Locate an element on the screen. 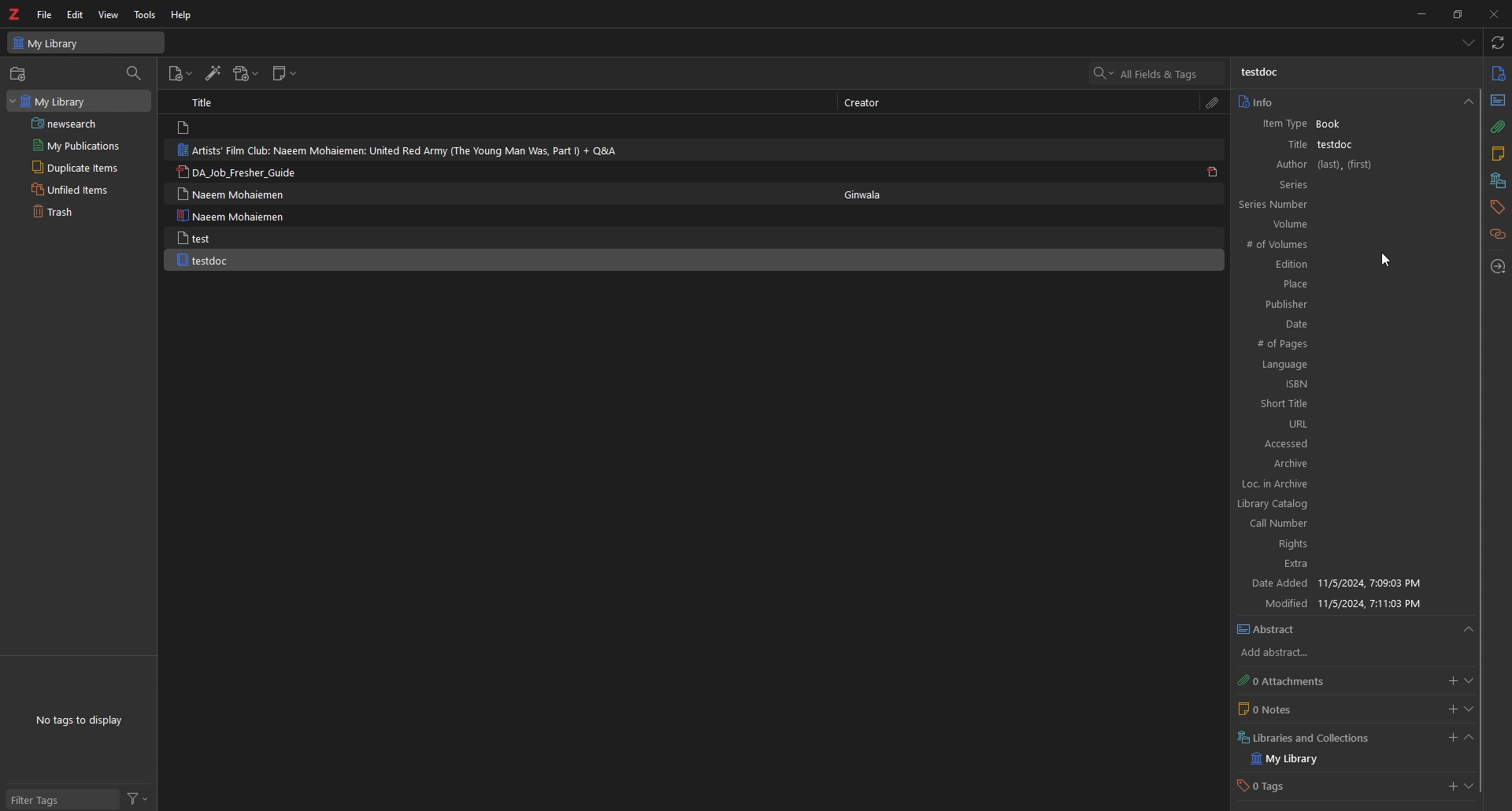 The height and width of the screenshot is (811, 1512). Abstract is located at coordinates (1270, 627).